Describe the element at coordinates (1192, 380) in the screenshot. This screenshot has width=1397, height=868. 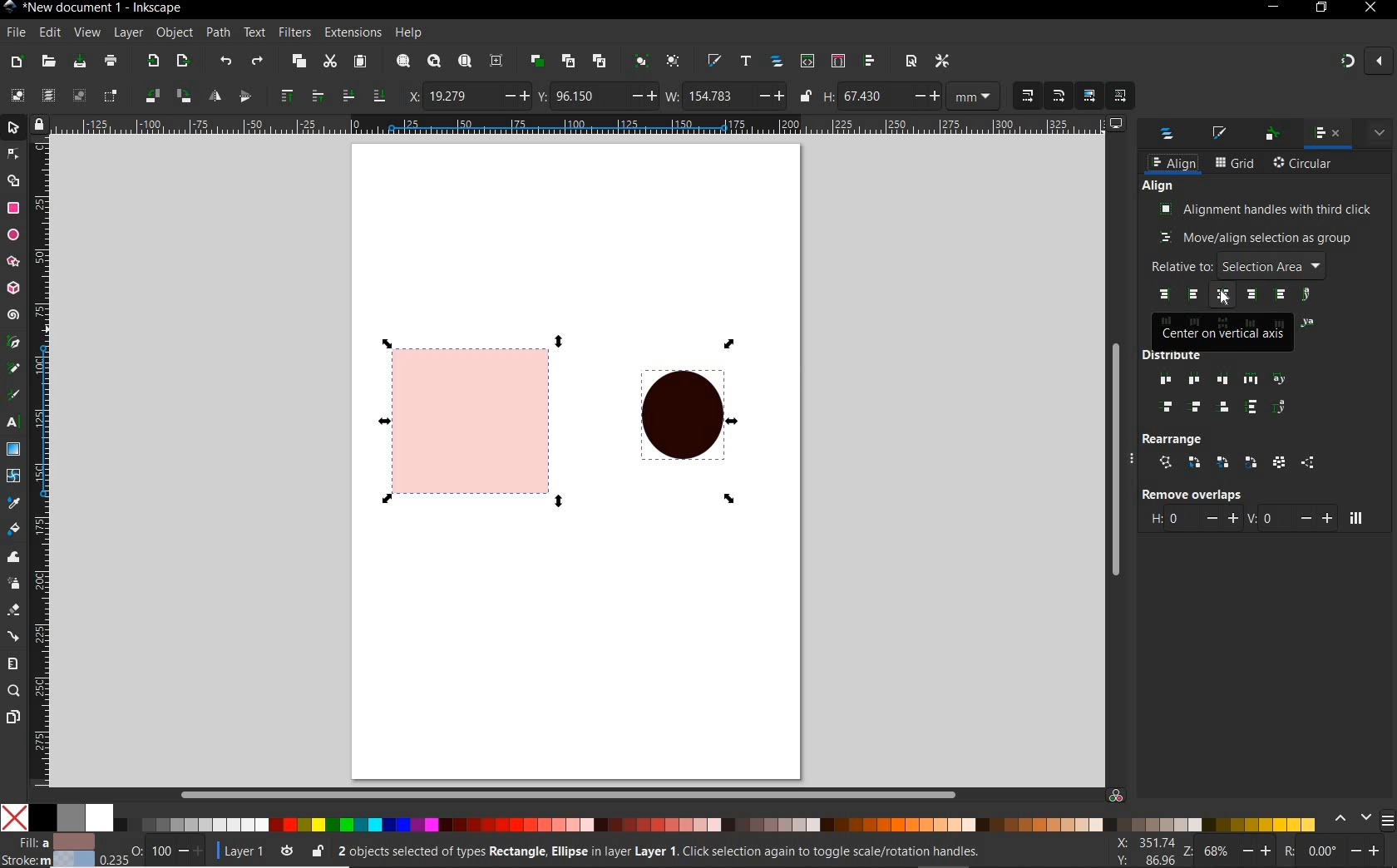
I see `EVEN HORIZONTAL CENTERS` at that location.